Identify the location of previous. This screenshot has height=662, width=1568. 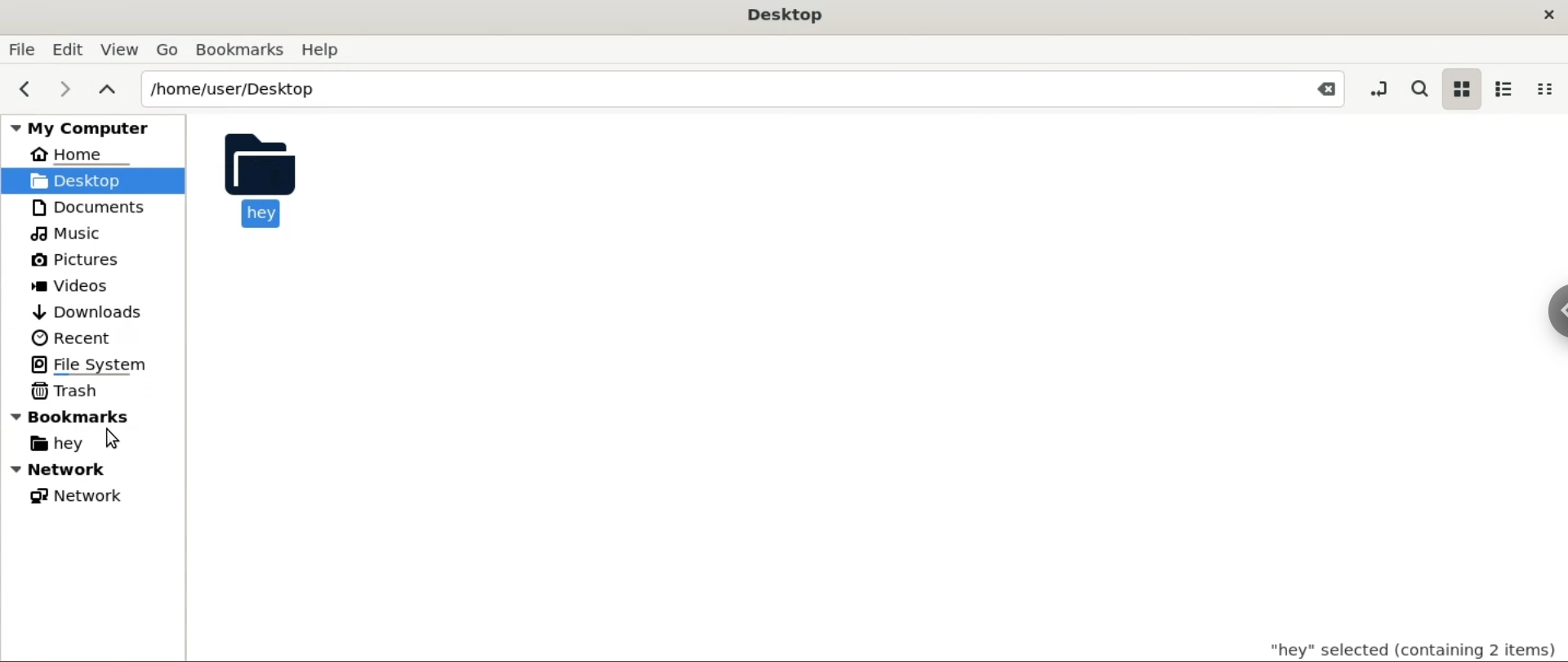
(23, 90).